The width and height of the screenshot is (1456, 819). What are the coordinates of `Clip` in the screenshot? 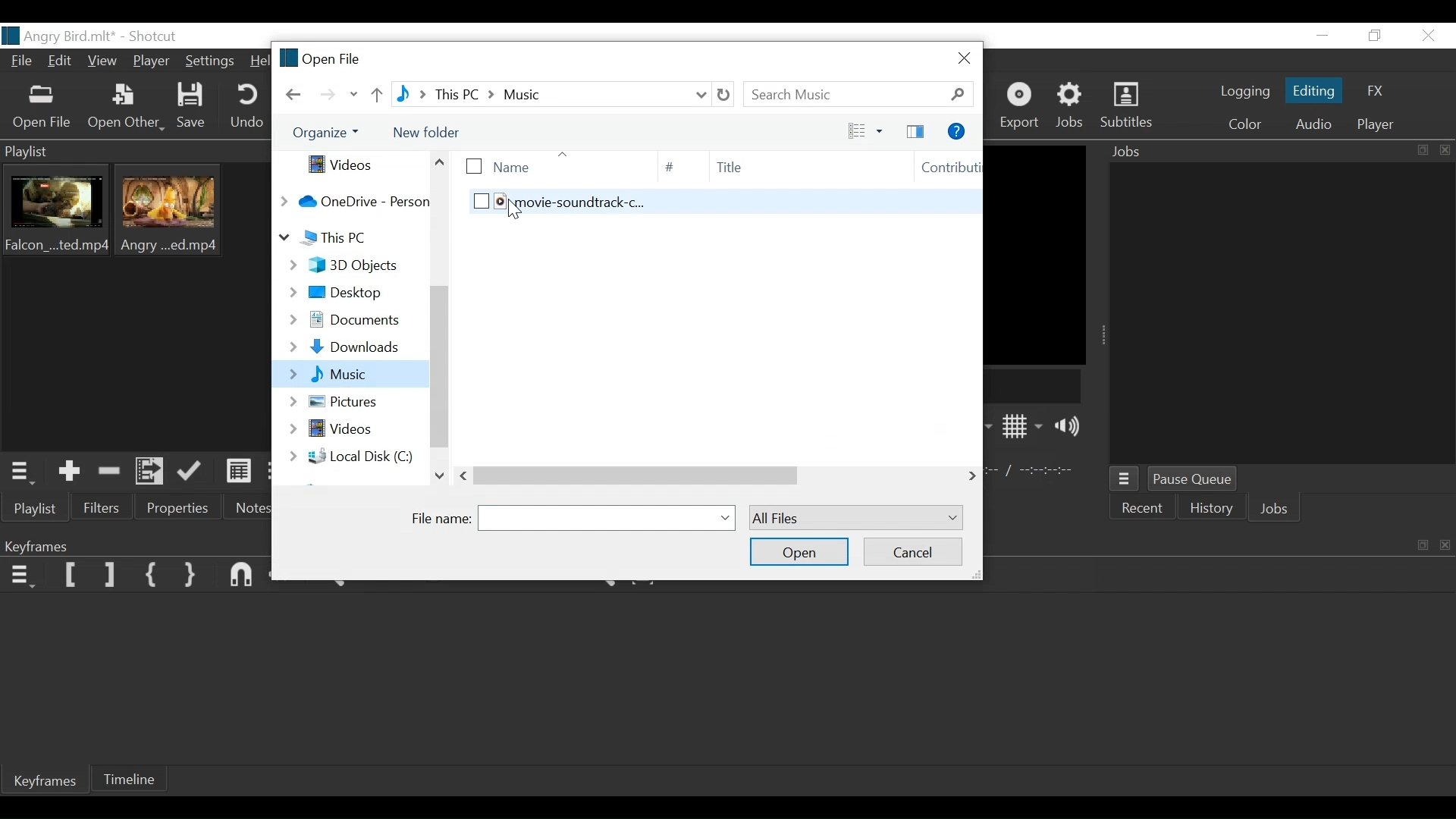 It's located at (174, 215).